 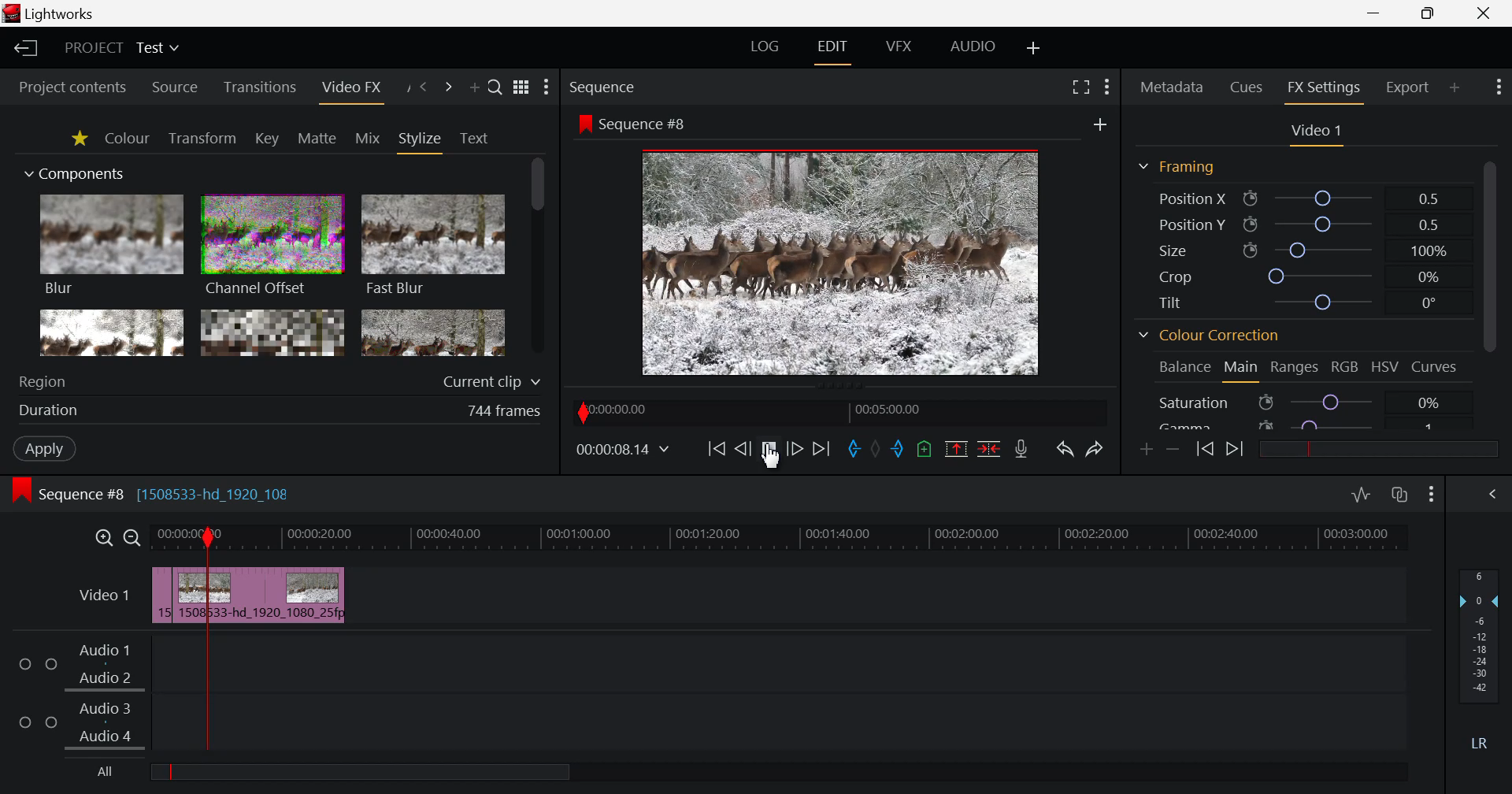 What do you see at coordinates (1490, 291) in the screenshot?
I see `Scroll Bar` at bounding box center [1490, 291].